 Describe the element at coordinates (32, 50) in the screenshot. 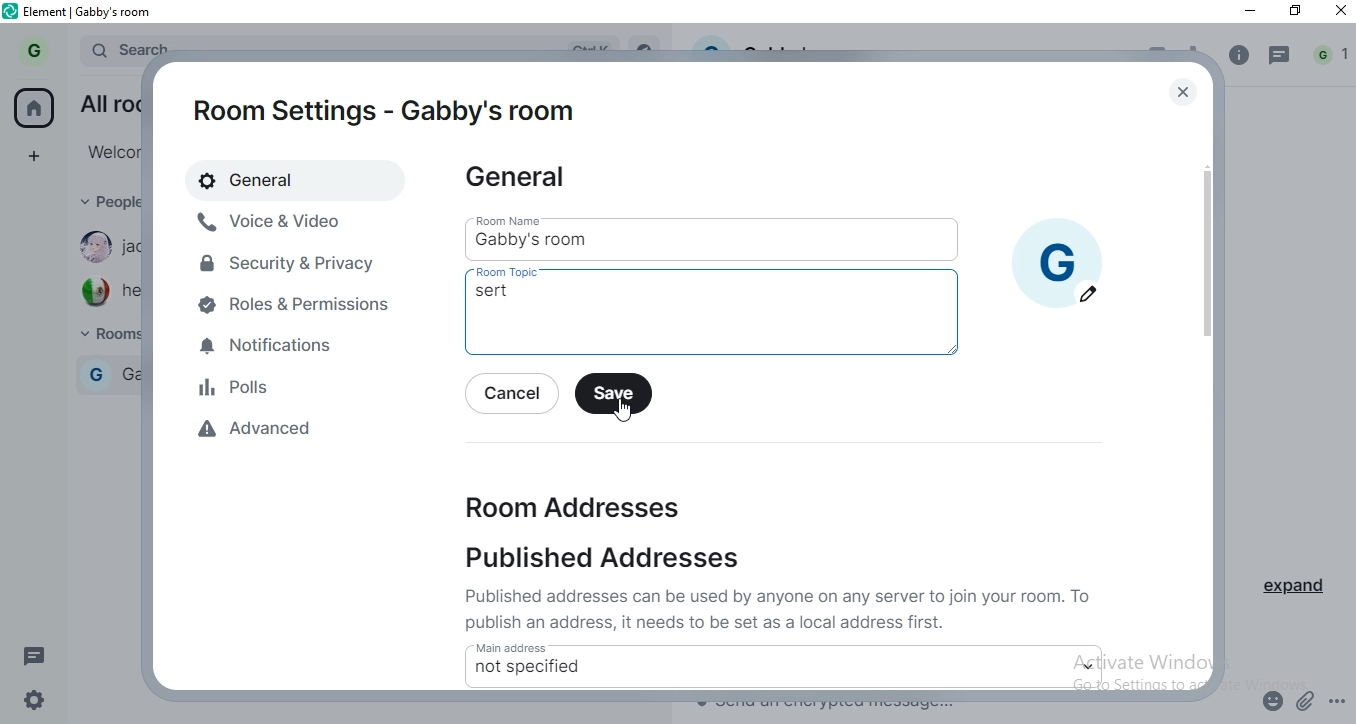

I see `profile` at that location.